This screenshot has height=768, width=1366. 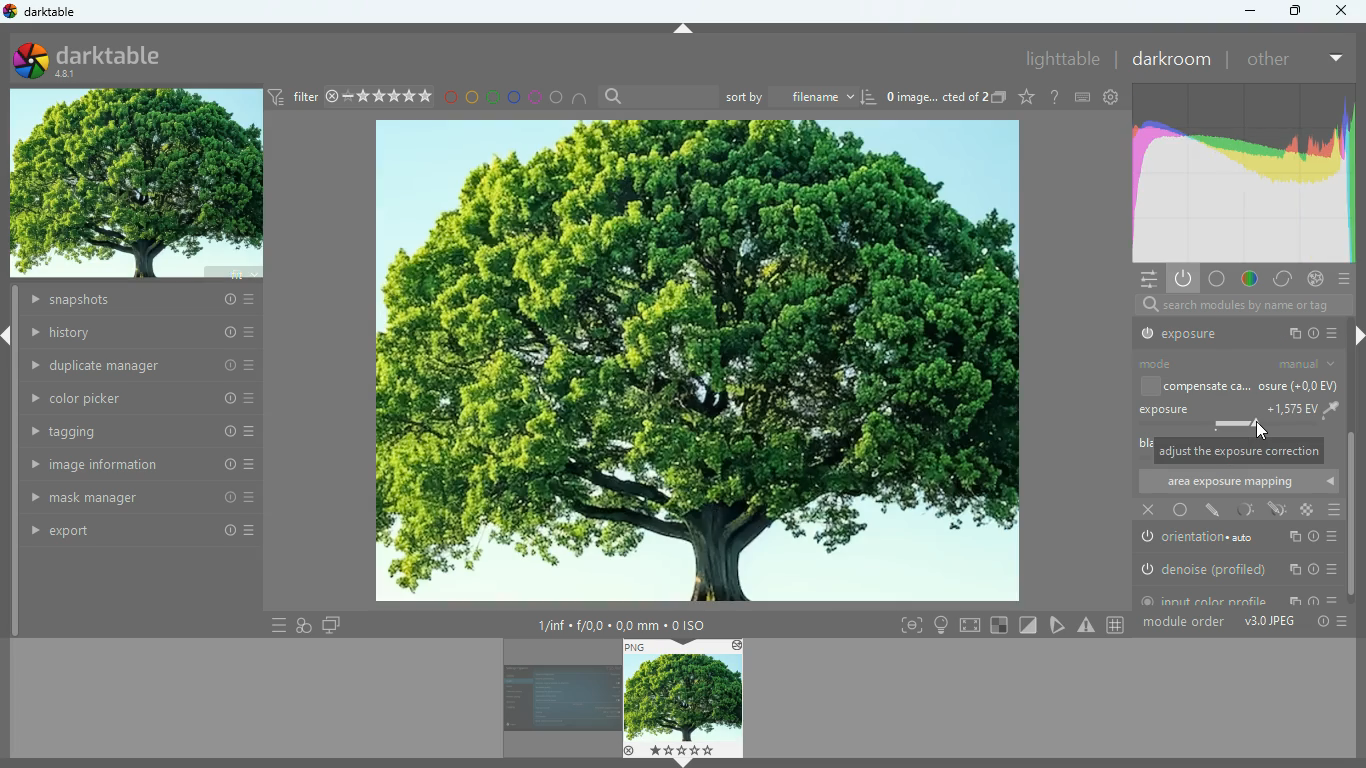 What do you see at coordinates (971, 625) in the screenshot?
I see `screen` at bounding box center [971, 625].